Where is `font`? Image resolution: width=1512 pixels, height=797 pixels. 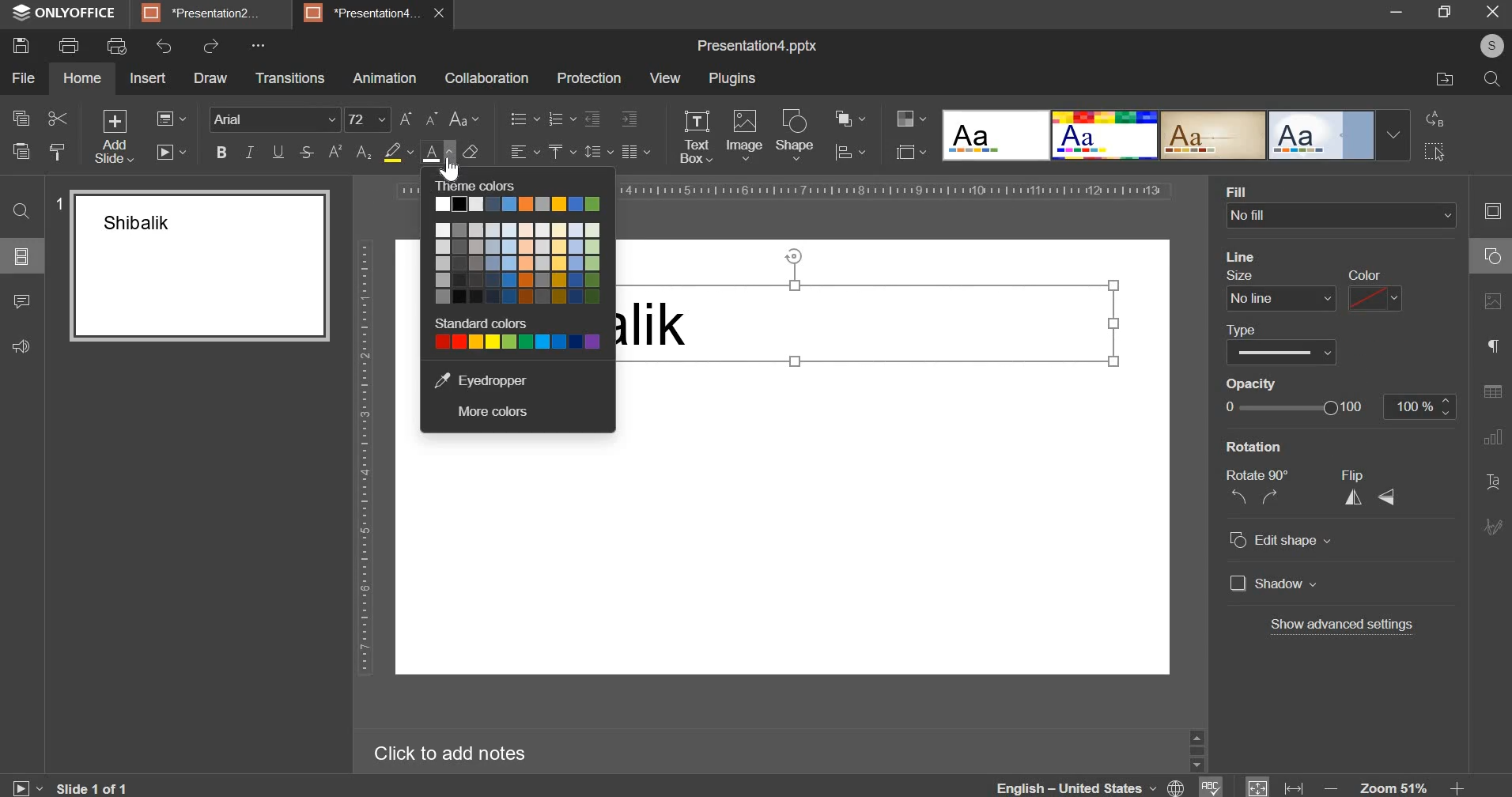
font is located at coordinates (275, 119).